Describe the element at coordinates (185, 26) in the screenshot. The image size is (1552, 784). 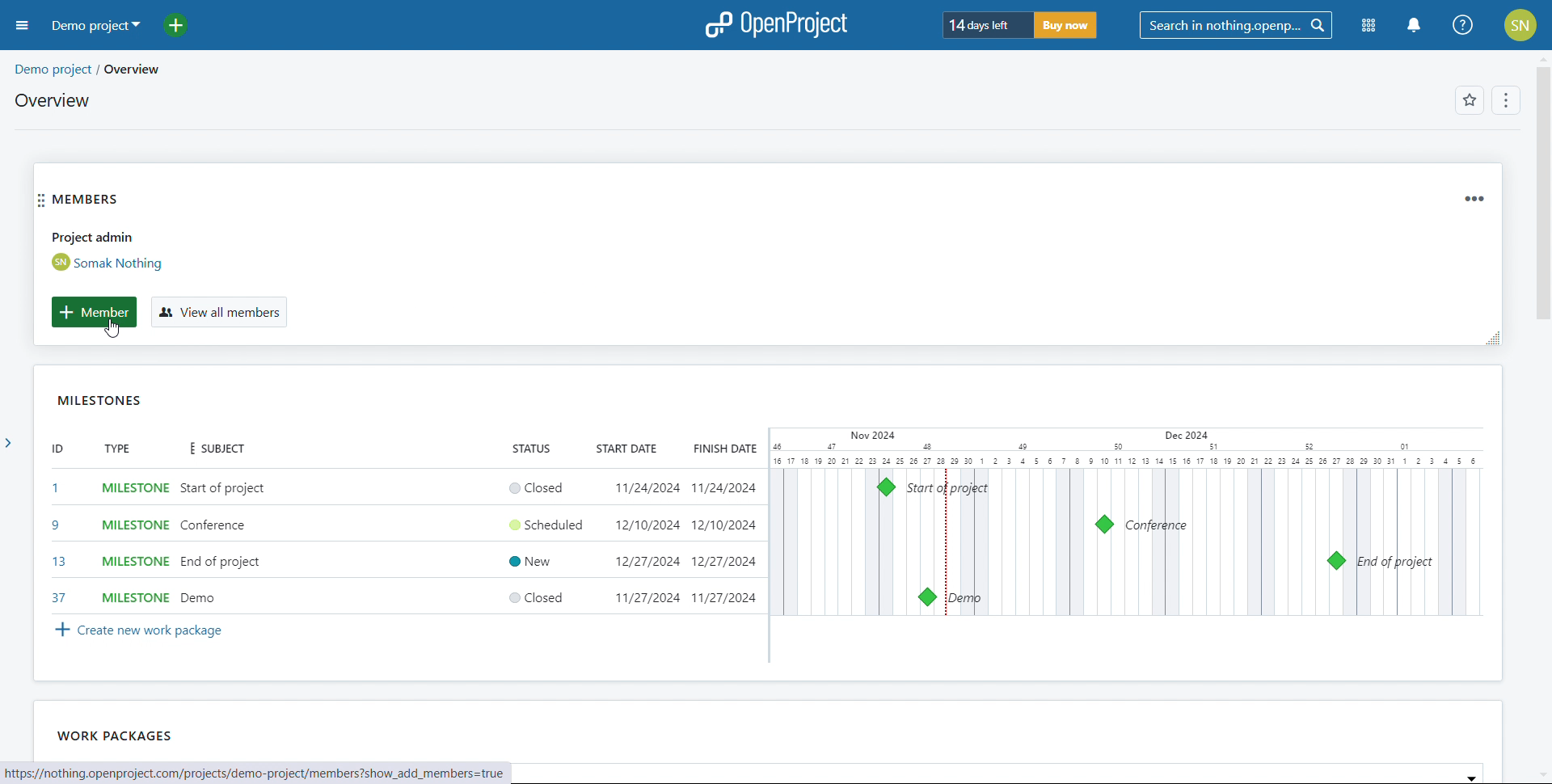
I see `add project` at that location.